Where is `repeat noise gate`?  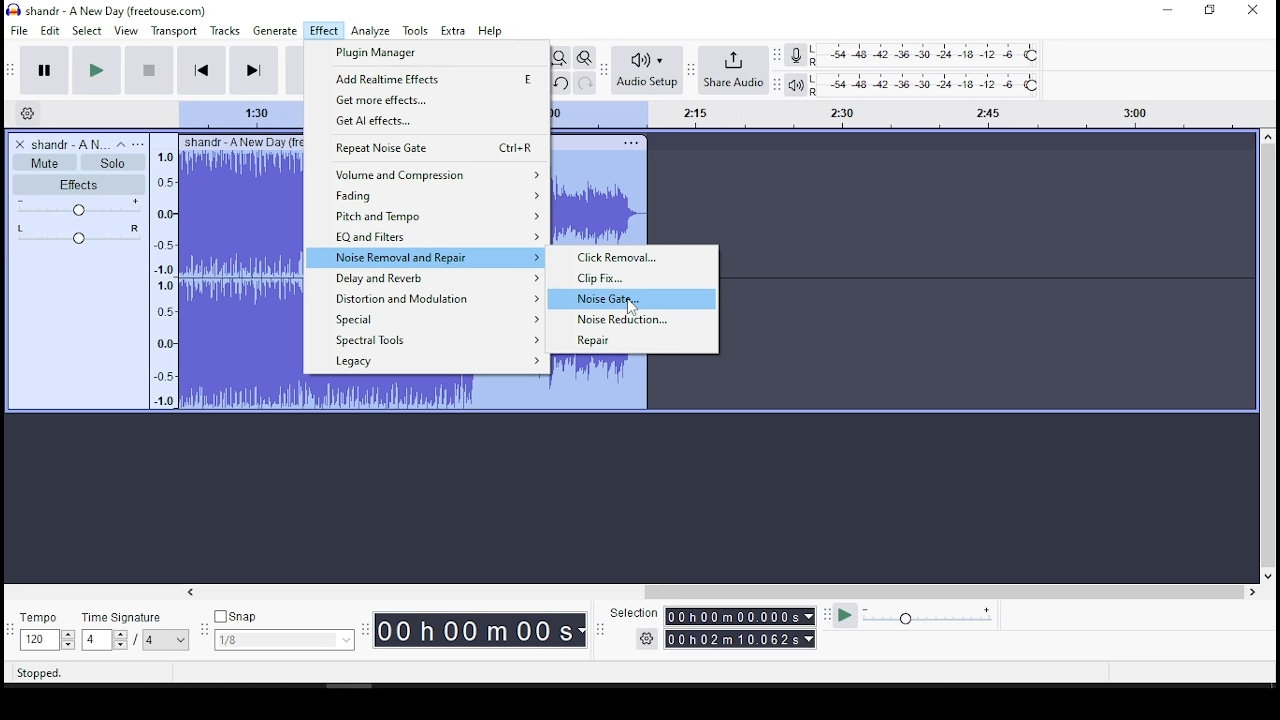
repeat noise gate is located at coordinates (427, 148).